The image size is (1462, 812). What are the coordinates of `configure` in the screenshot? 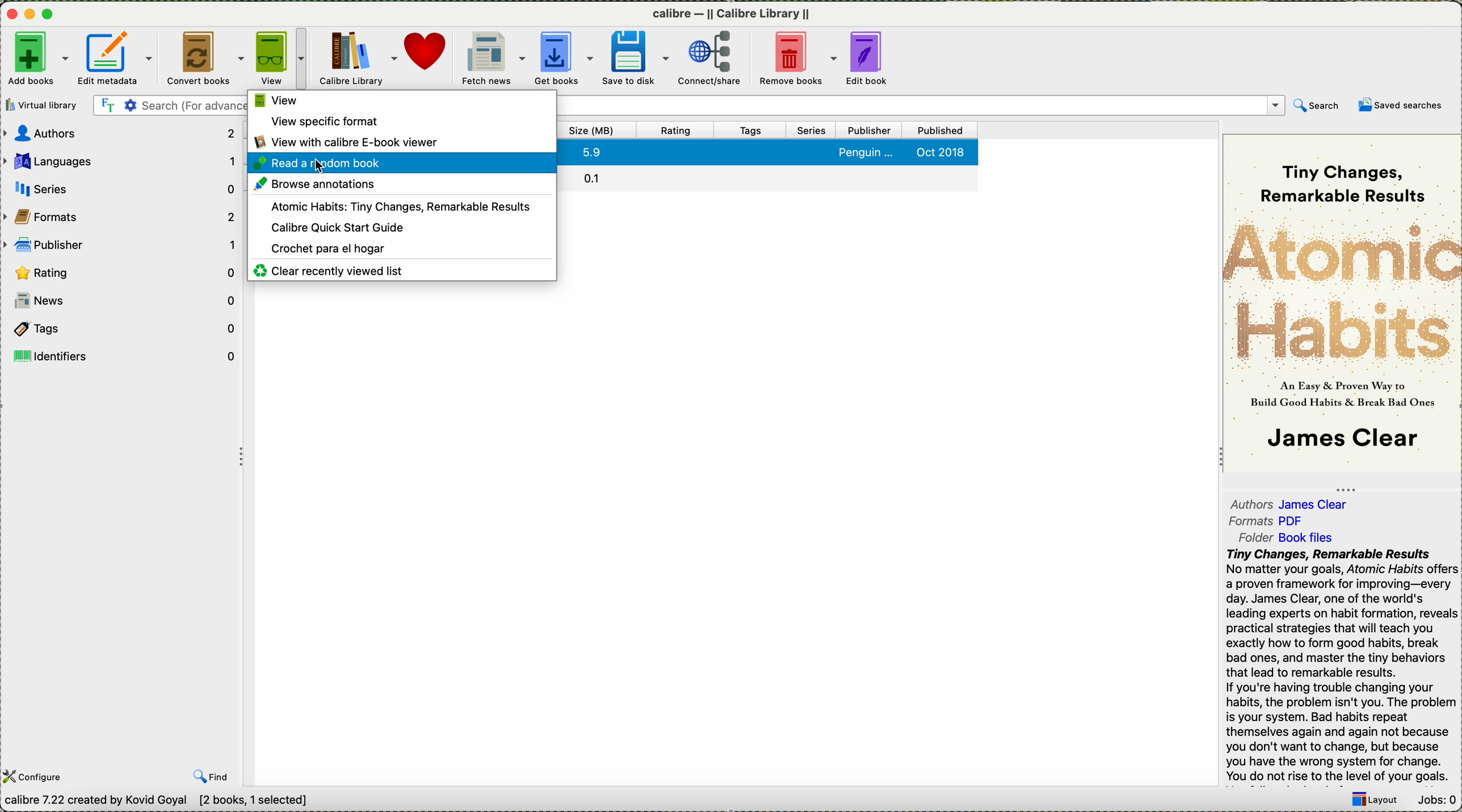 It's located at (34, 777).